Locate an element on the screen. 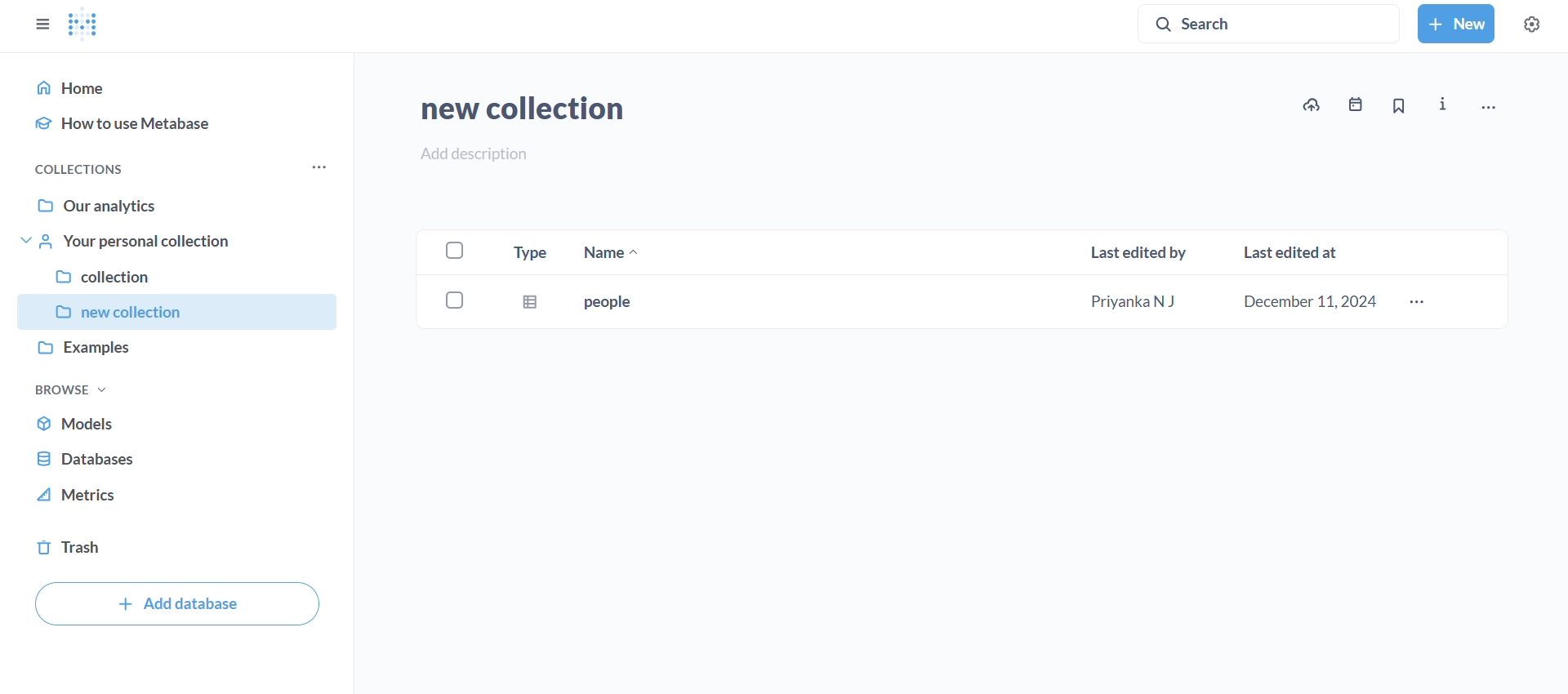 The height and width of the screenshot is (694, 1568). settings is located at coordinates (1530, 24).